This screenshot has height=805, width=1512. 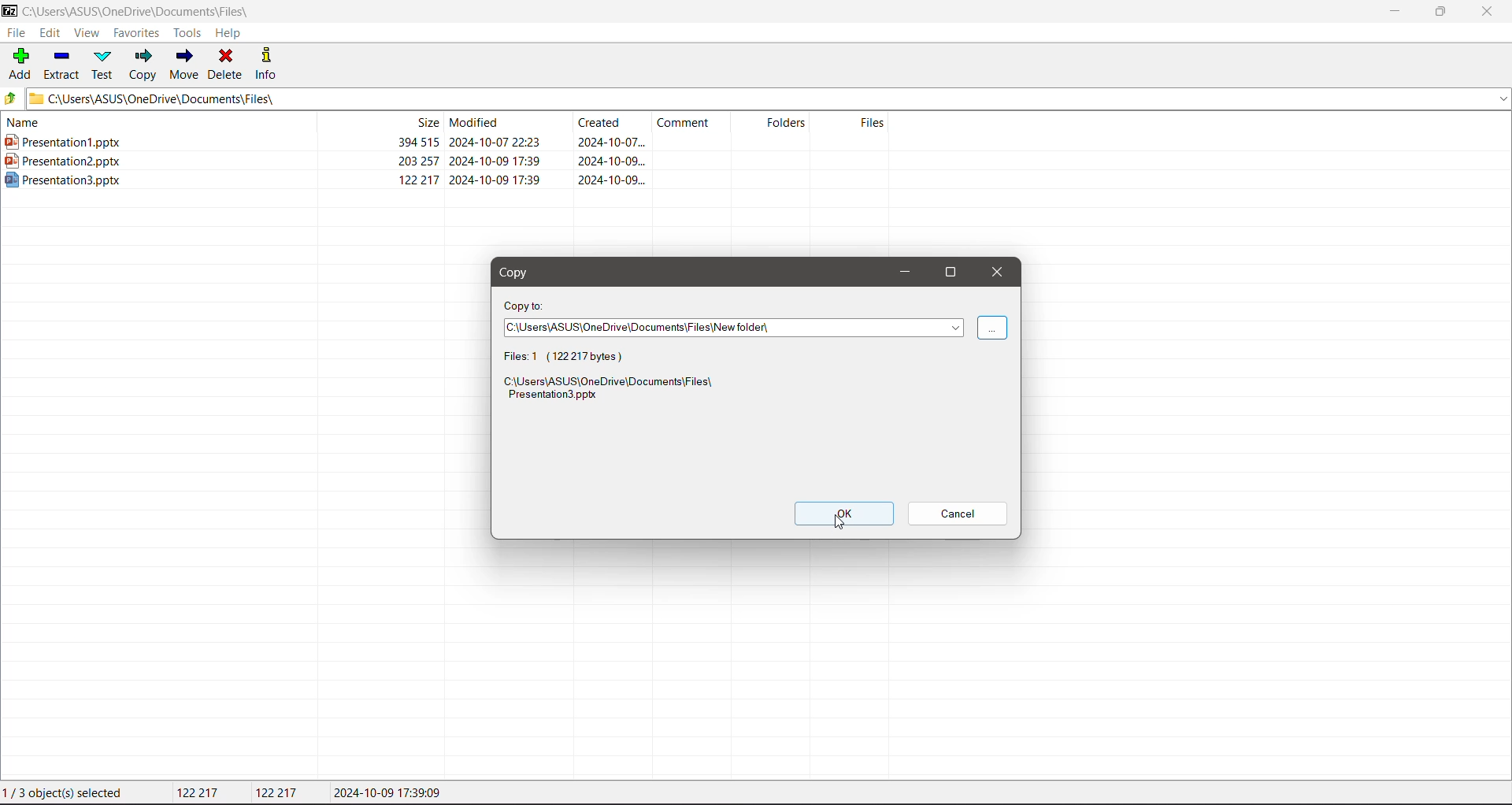 I want to click on File, so click(x=17, y=32).